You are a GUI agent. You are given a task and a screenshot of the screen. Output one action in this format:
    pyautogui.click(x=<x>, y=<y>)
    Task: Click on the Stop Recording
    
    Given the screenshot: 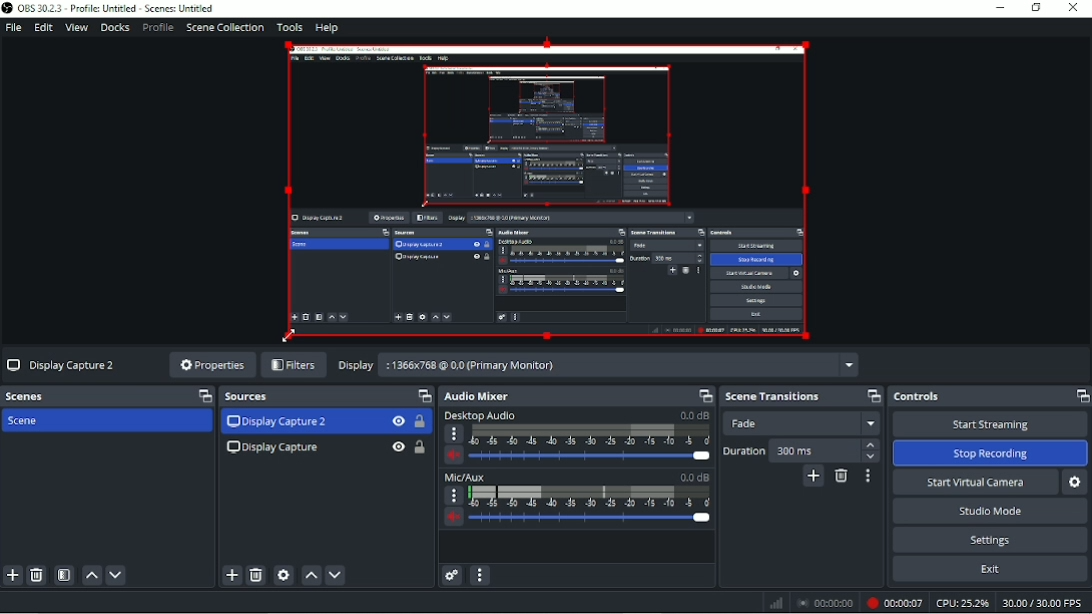 What is the action you would take?
    pyautogui.click(x=991, y=454)
    